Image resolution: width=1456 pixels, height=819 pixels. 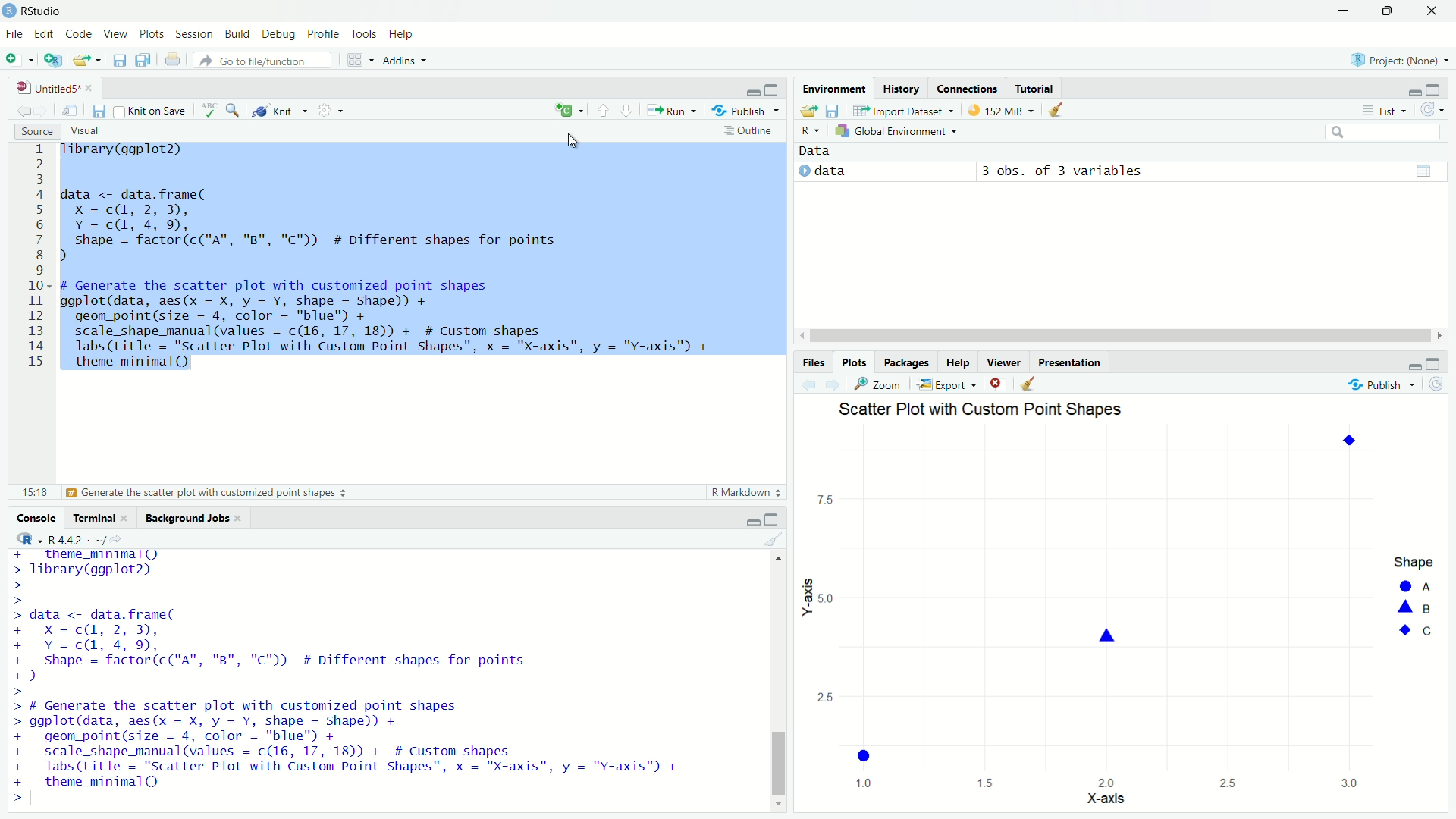 What do you see at coordinates (84, 131) in the screenshot?
I see `Visual` at bounding box center [84, 131].